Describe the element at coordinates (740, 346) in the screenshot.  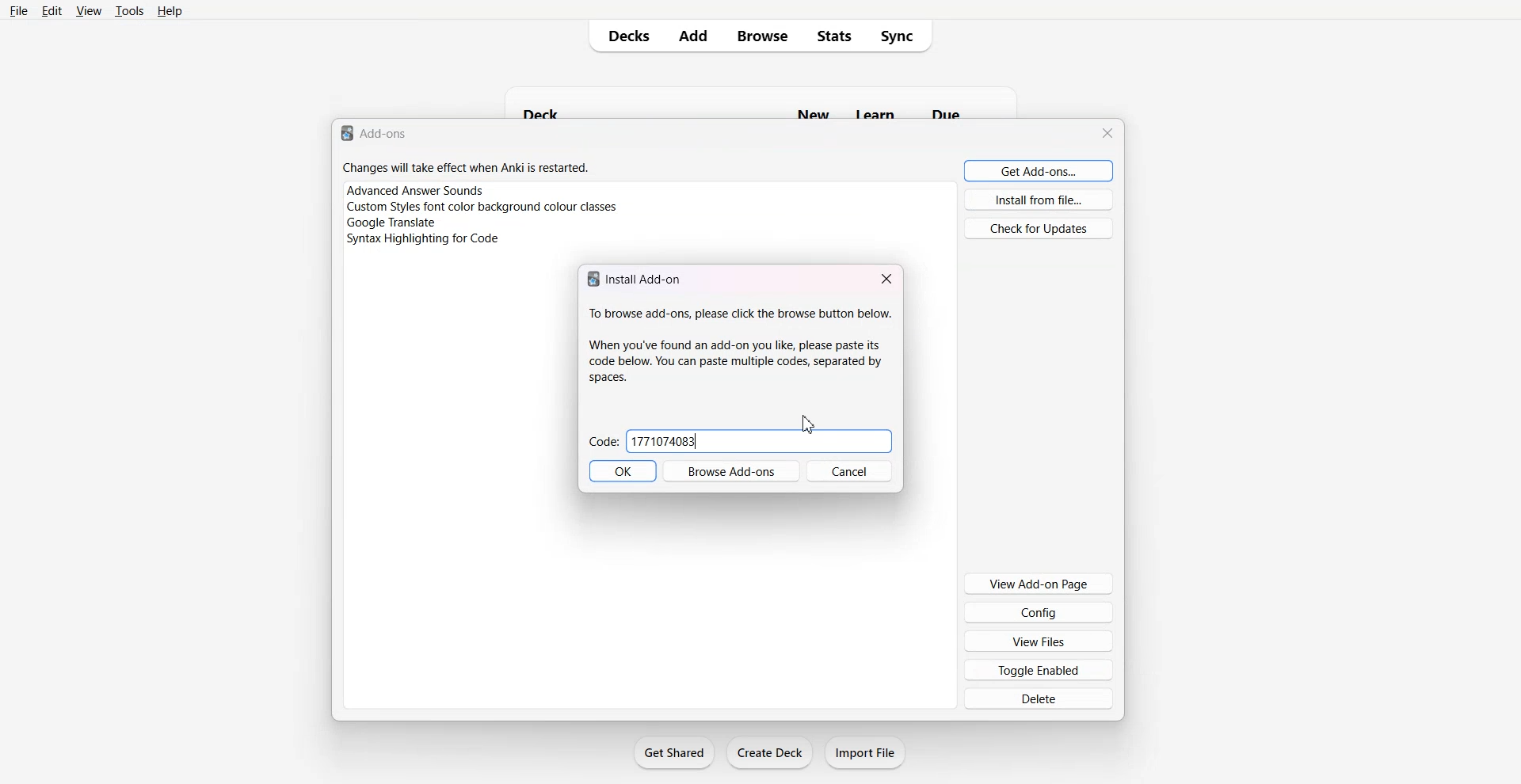
I see `to browse add-ons, please click the browse button below.` at that location.